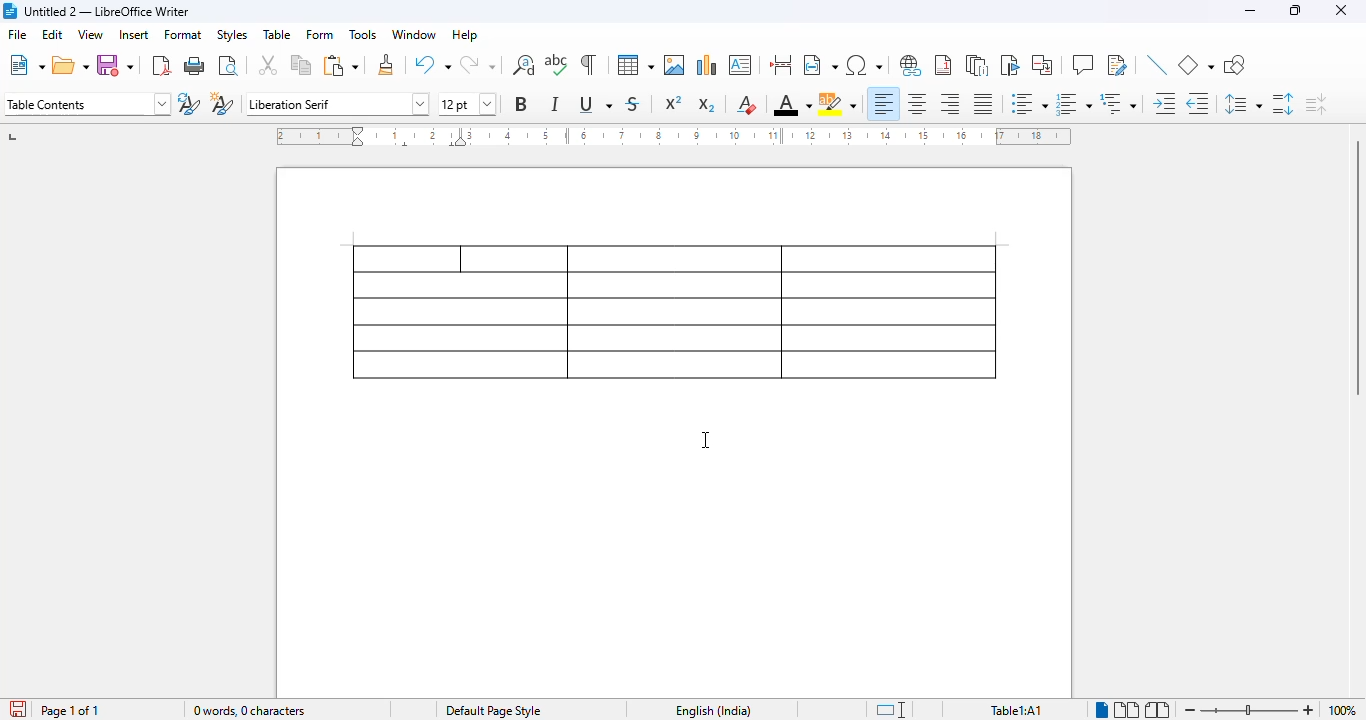 The height and width of the screenshot is (720, 1366). I want to click on toggle formatting marks, so click(589, 65).